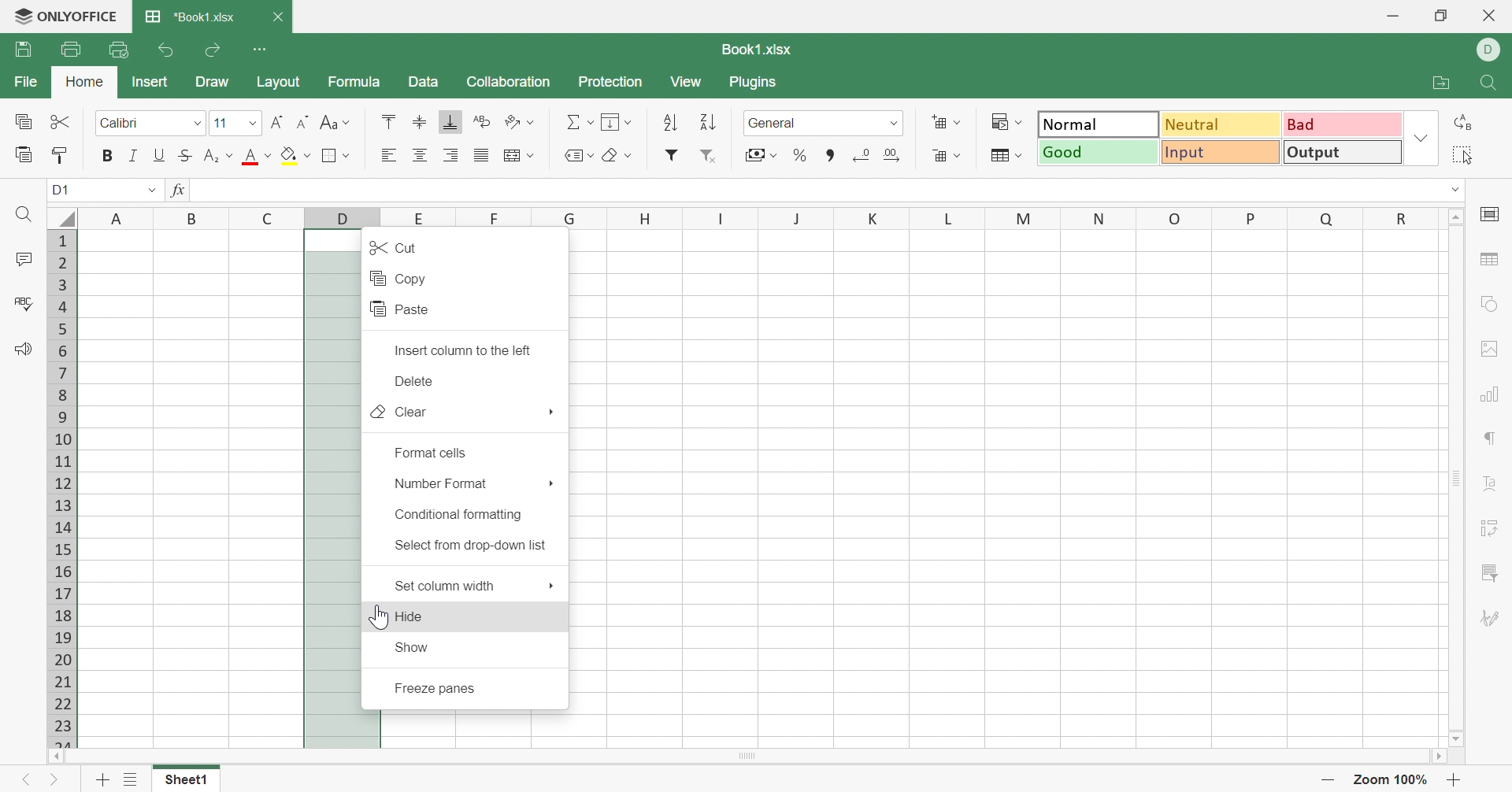 The width and height of the screenshot is (1512, 792). What do you see at coordinates (282, 83) in the screenshot?
I see `Layout` at bounding box center [282, 83].